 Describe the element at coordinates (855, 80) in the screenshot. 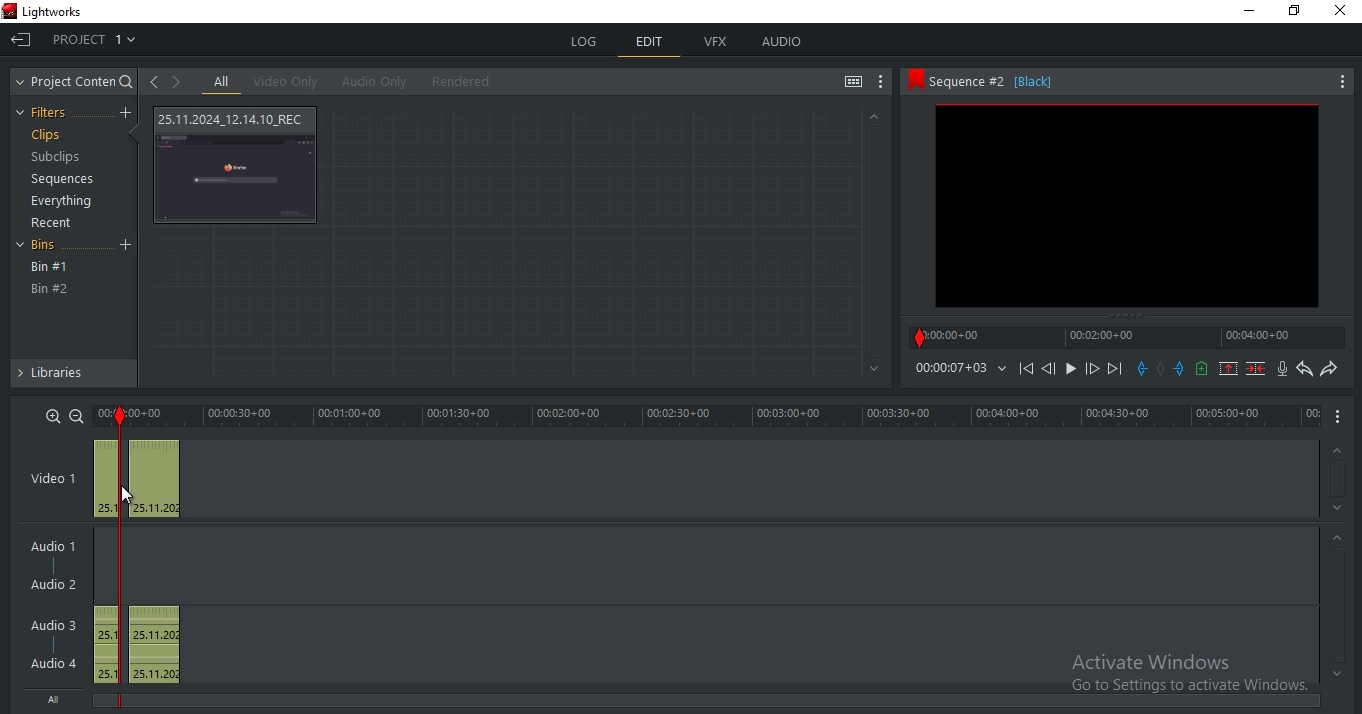

I see `` at that location.